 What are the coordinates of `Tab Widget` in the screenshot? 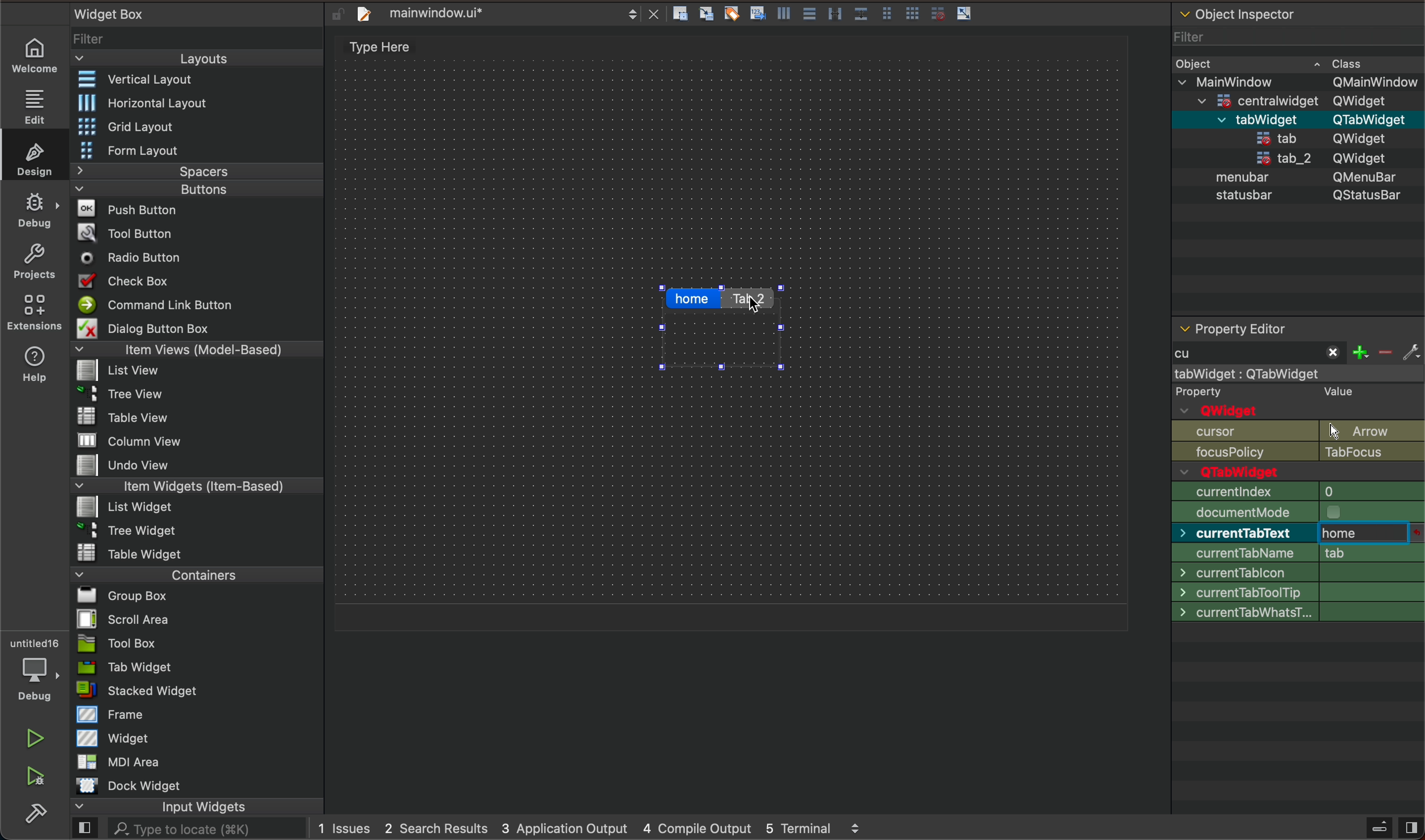 It's located at (129, 666).